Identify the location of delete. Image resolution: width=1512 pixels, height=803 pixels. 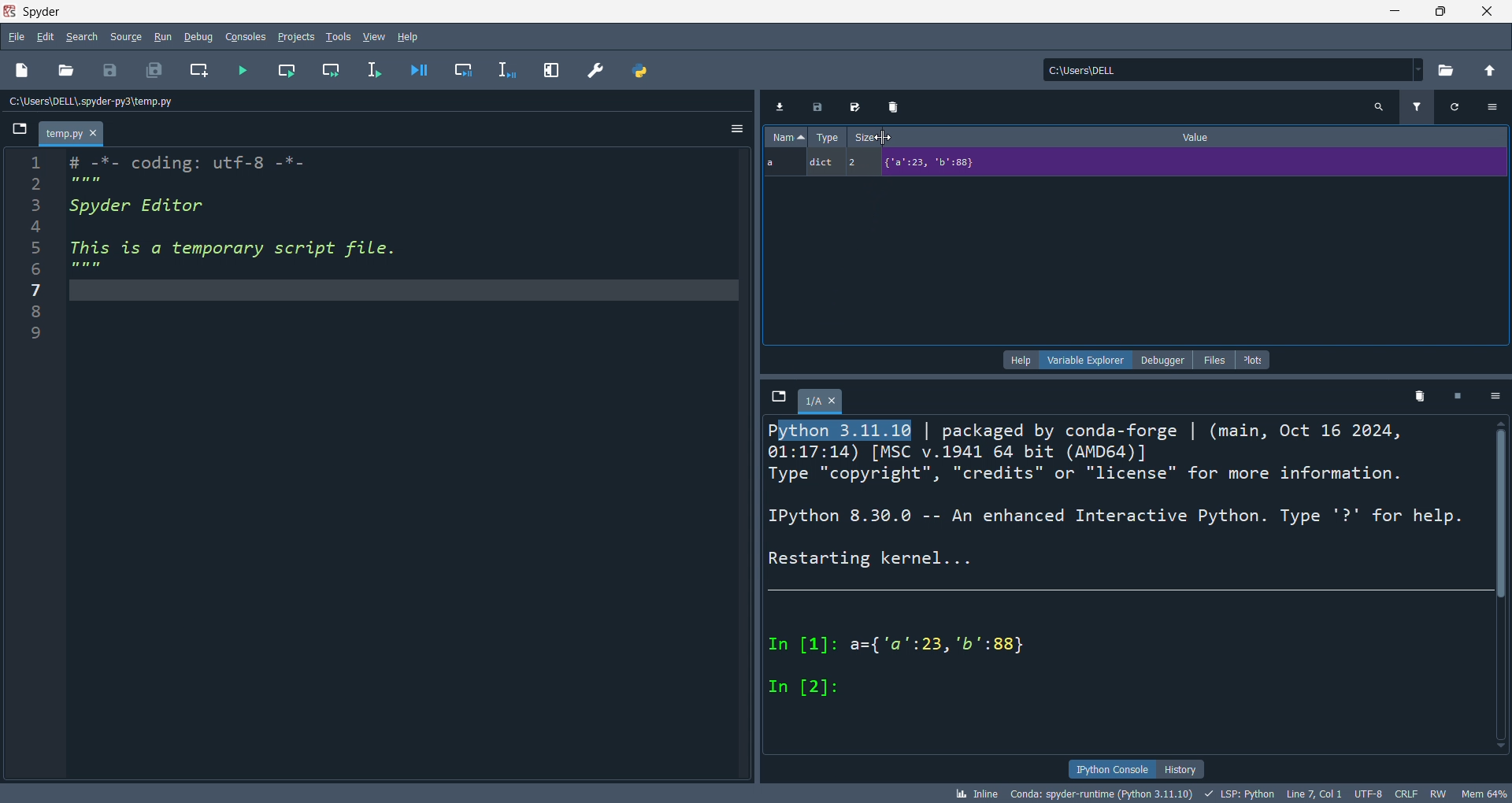
(1421, 396).